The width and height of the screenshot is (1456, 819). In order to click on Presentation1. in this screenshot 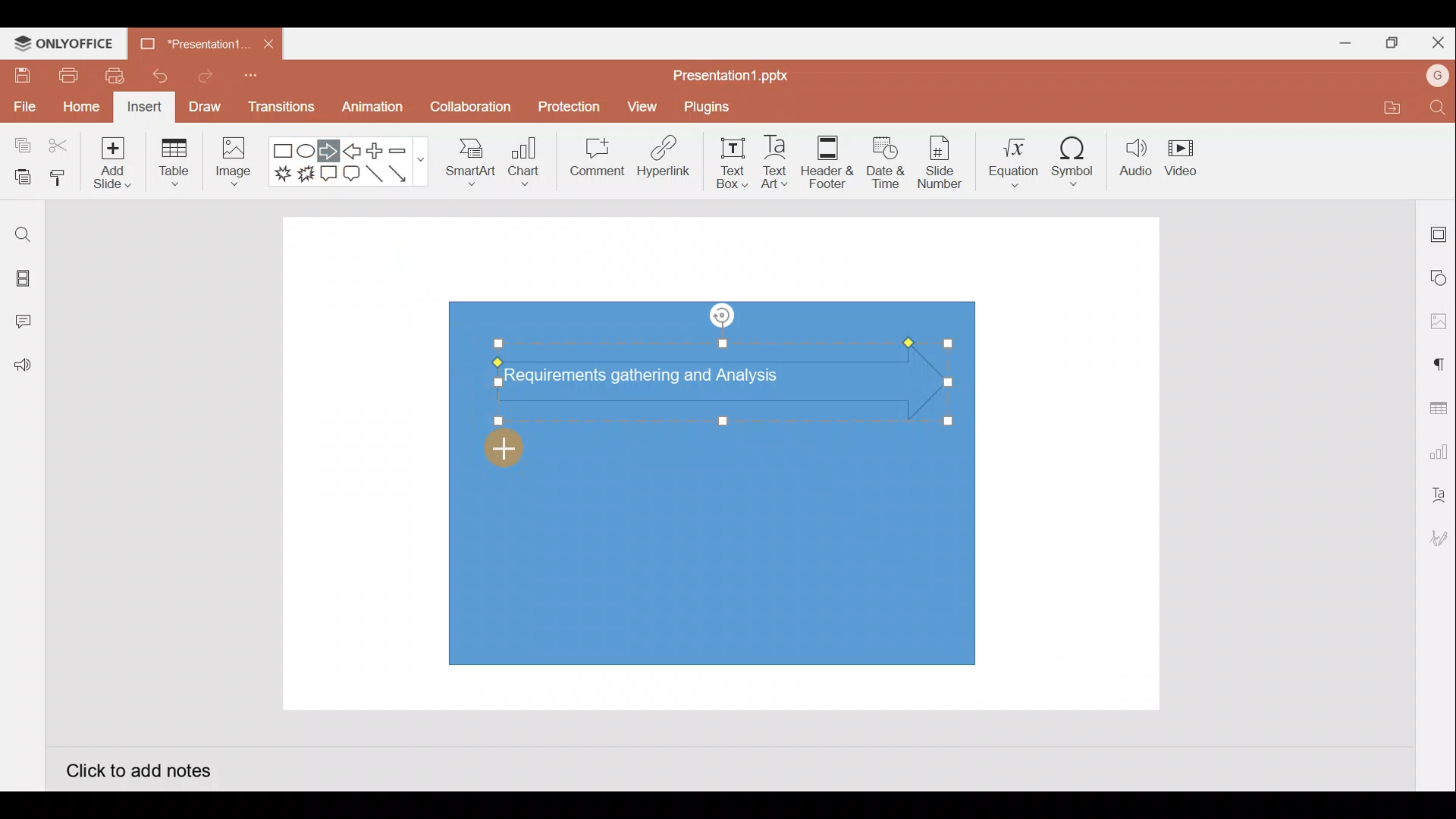, I will do `click(190, 44)`.